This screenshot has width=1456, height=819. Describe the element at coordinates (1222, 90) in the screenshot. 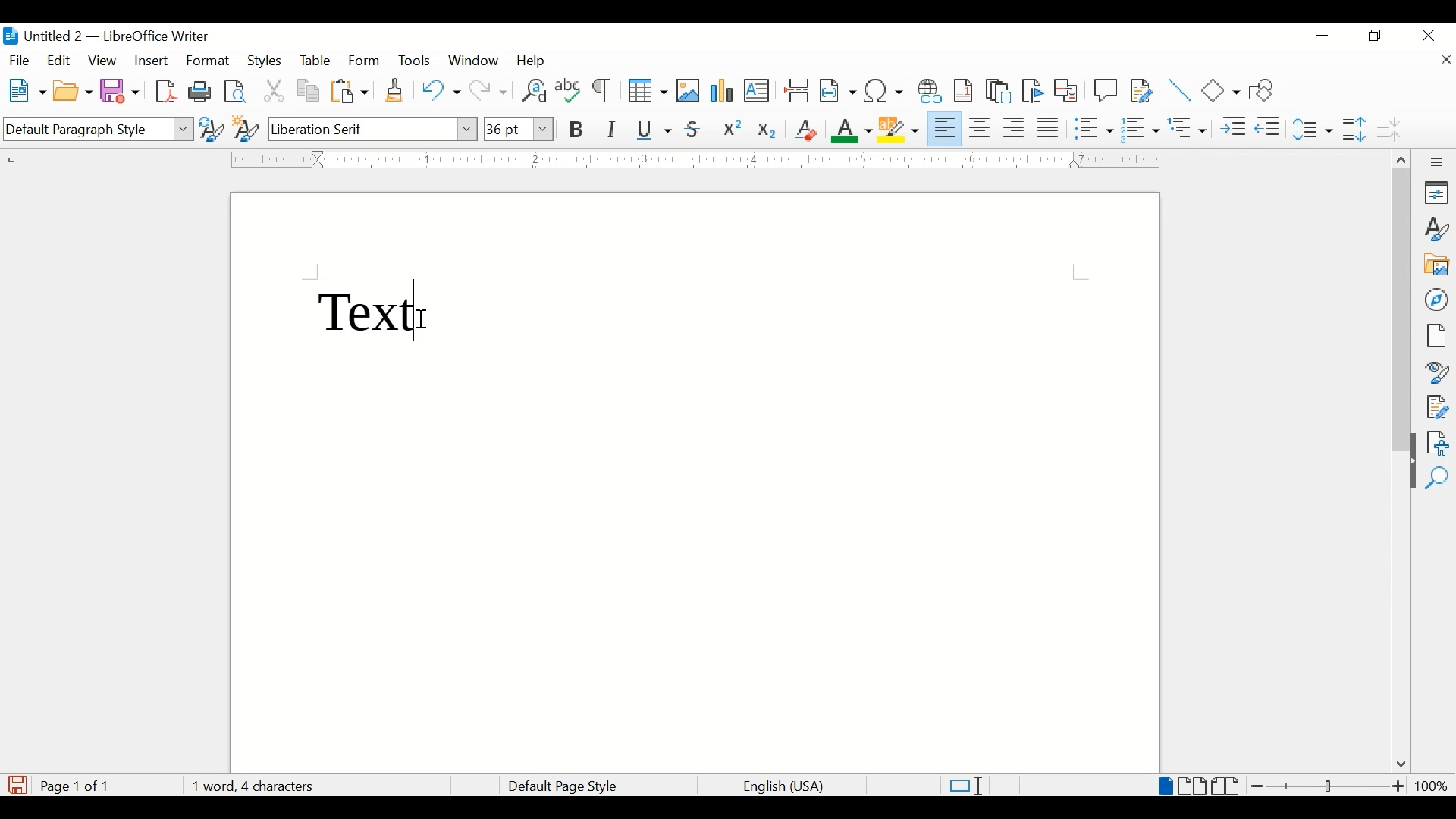

I see `basic shapes` at that location.